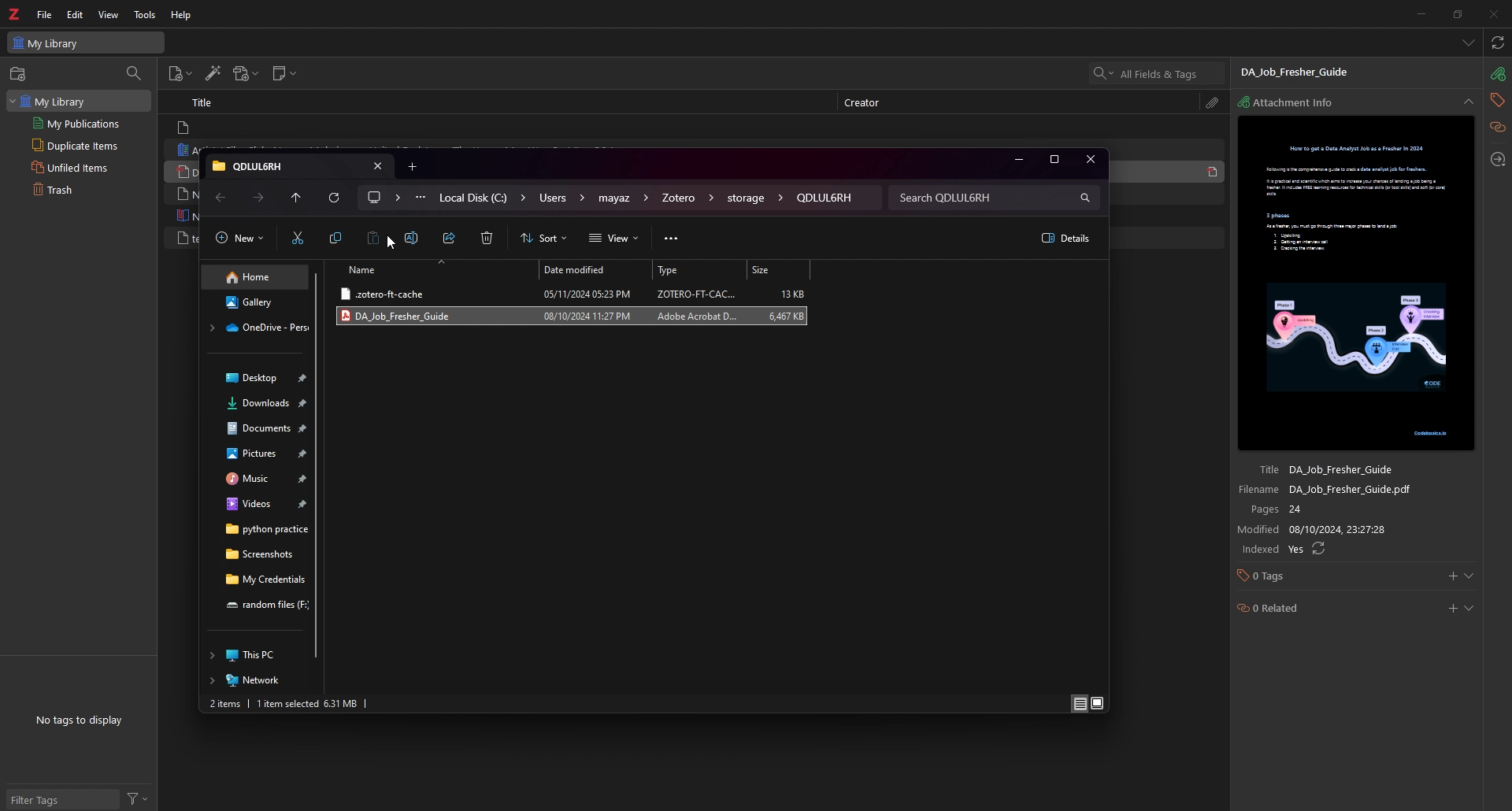 The width and height of the screenshot is (1512, 811). What do you see at coordinates (77, 14) in the screenshot?
I see `edit` at bounding box center [77, 14].